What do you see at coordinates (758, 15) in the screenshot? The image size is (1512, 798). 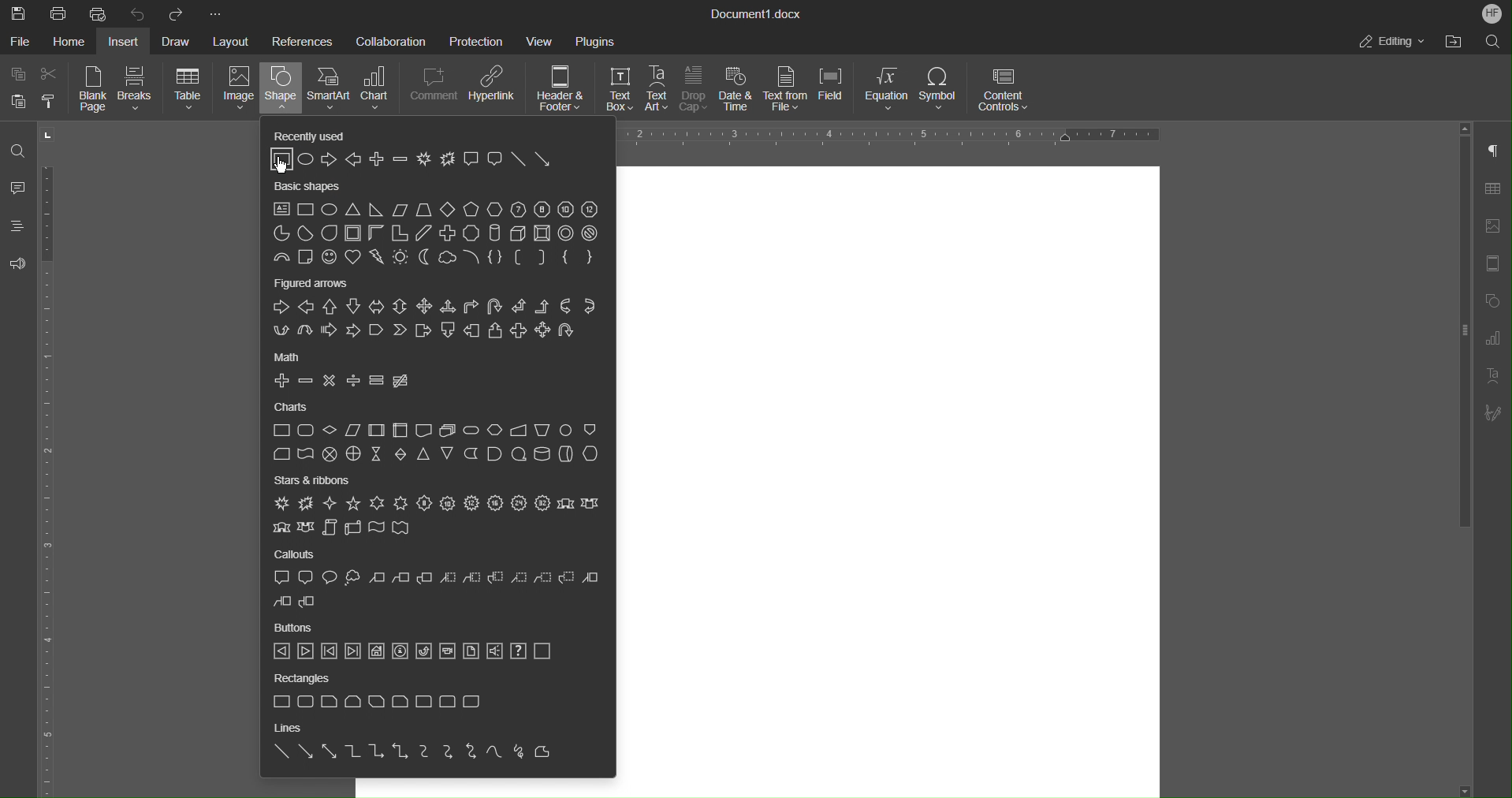 I see `Document1.docx` at bounding box center [758, 15].